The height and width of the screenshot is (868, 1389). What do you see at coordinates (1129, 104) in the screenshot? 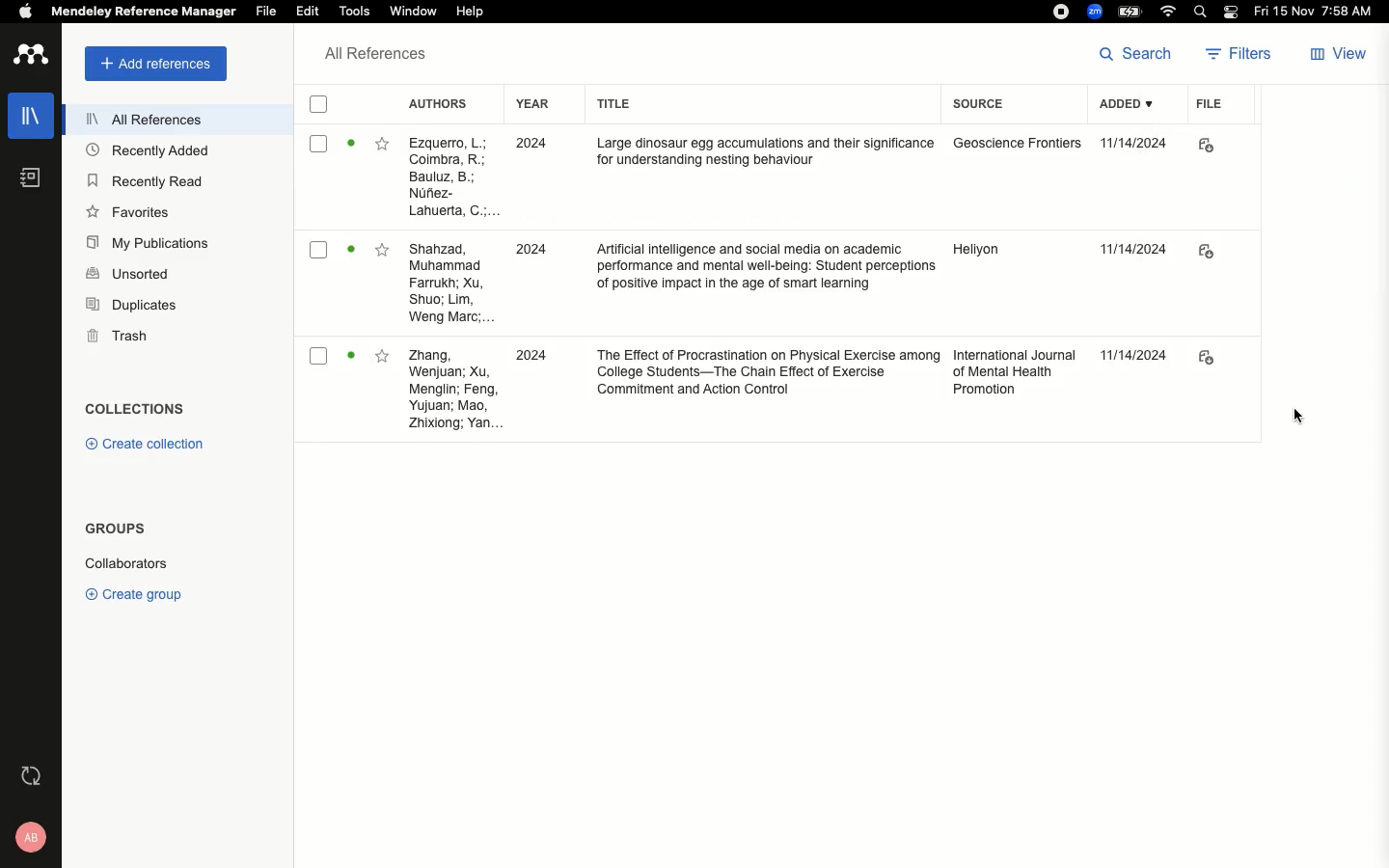
I see `added` at bounding box center [1129, 104].